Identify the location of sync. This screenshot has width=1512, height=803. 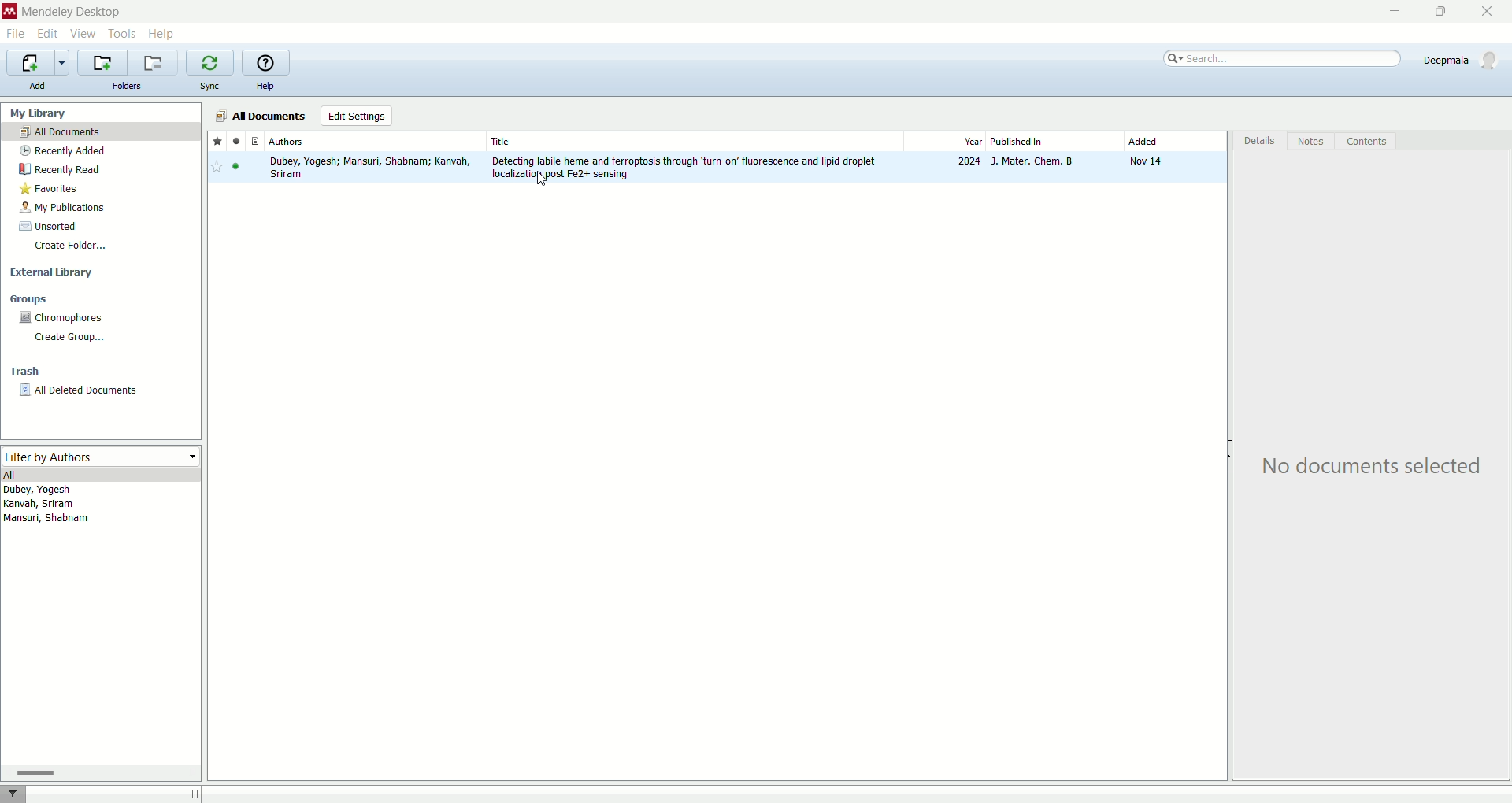
(209, 88).